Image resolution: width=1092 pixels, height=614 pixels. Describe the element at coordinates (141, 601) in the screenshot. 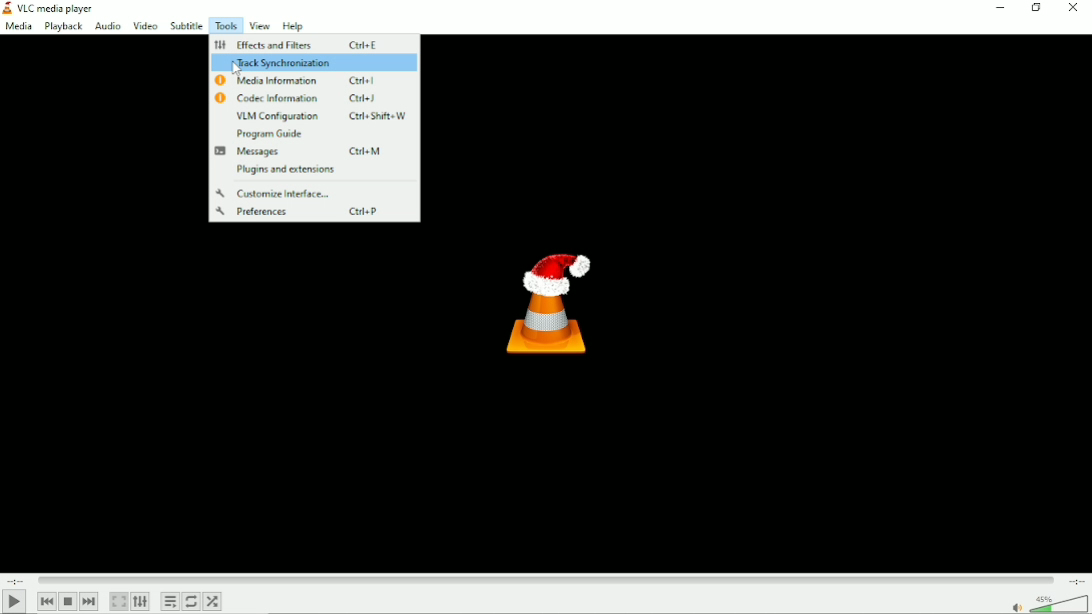

I see `Show extended settings` at that location.